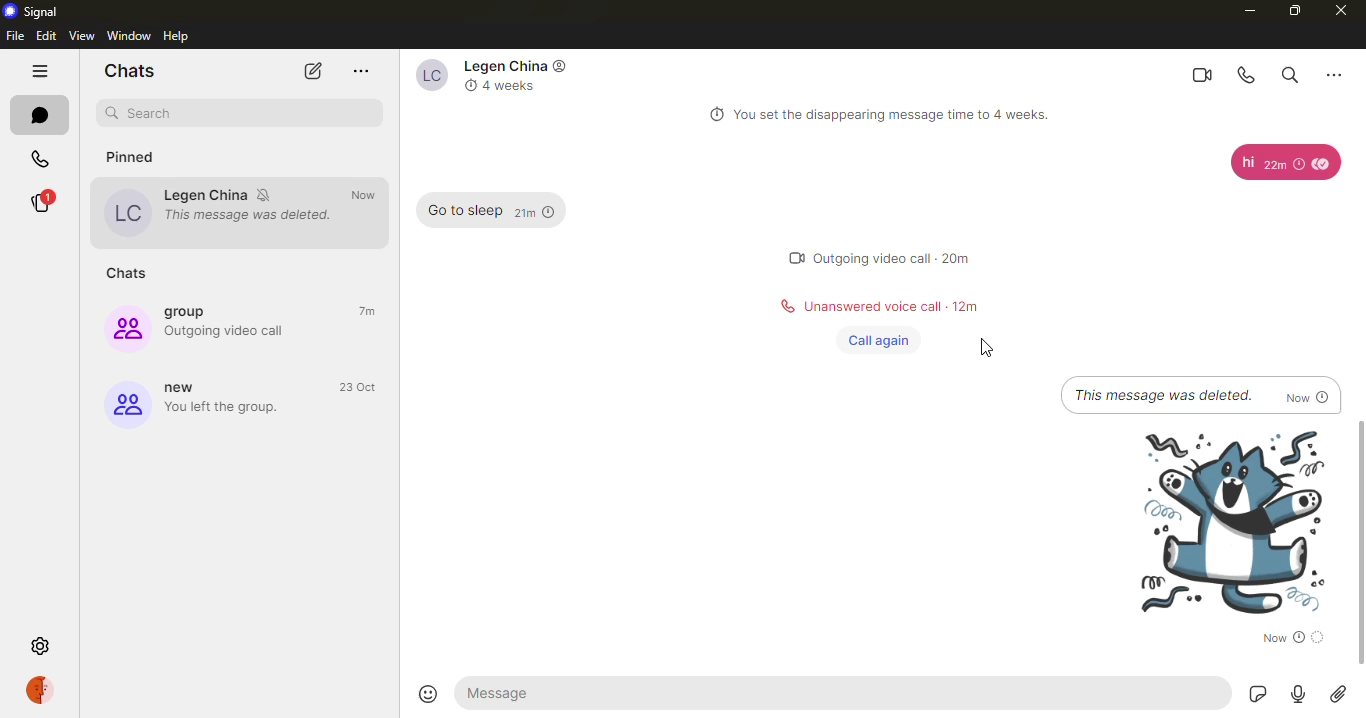  I want to click on message , so click(842, 691).